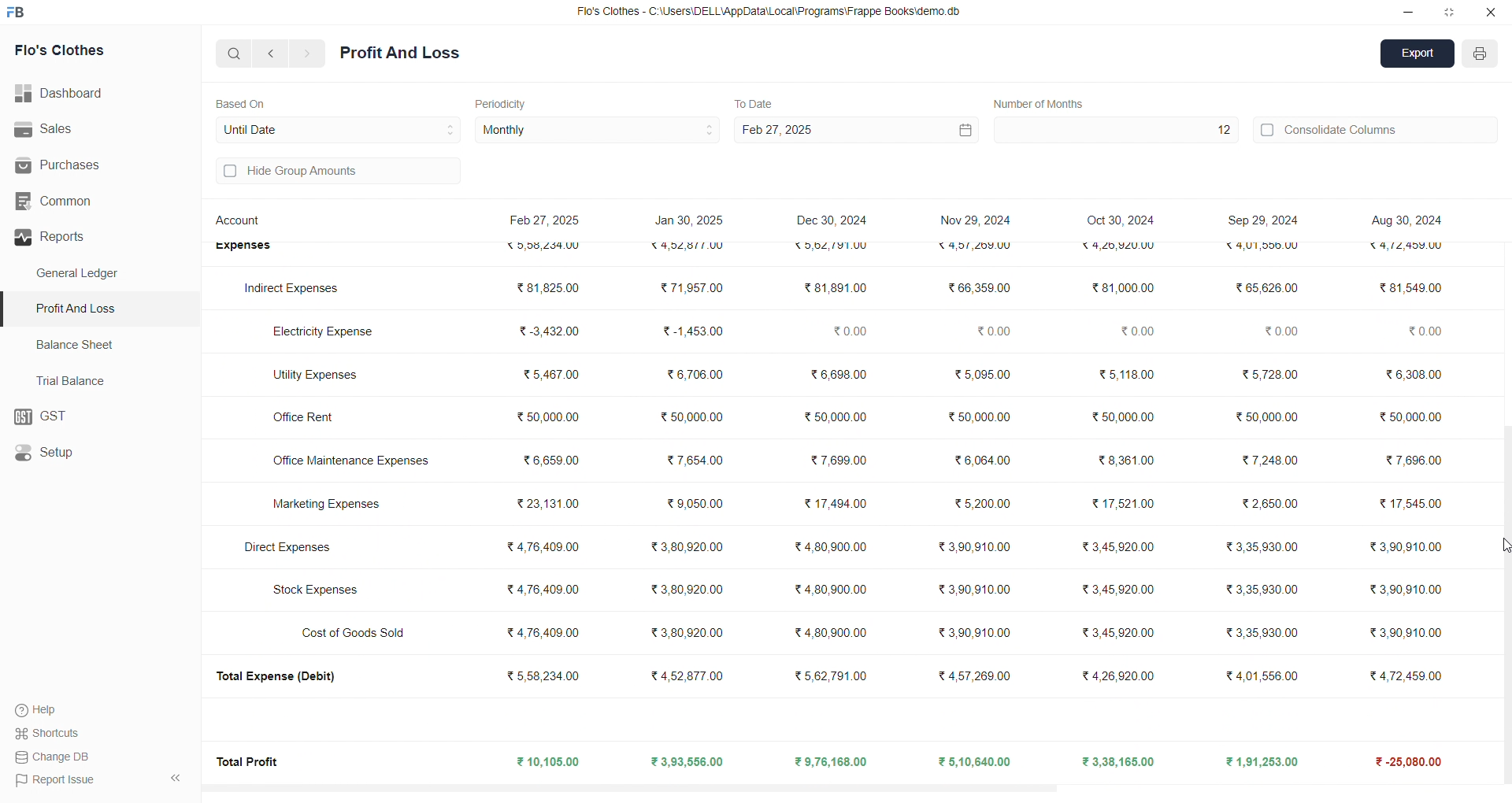  Describe the element at coordinates (1266, 288) in the screenshot. I see `₹65,626.00` at that location.